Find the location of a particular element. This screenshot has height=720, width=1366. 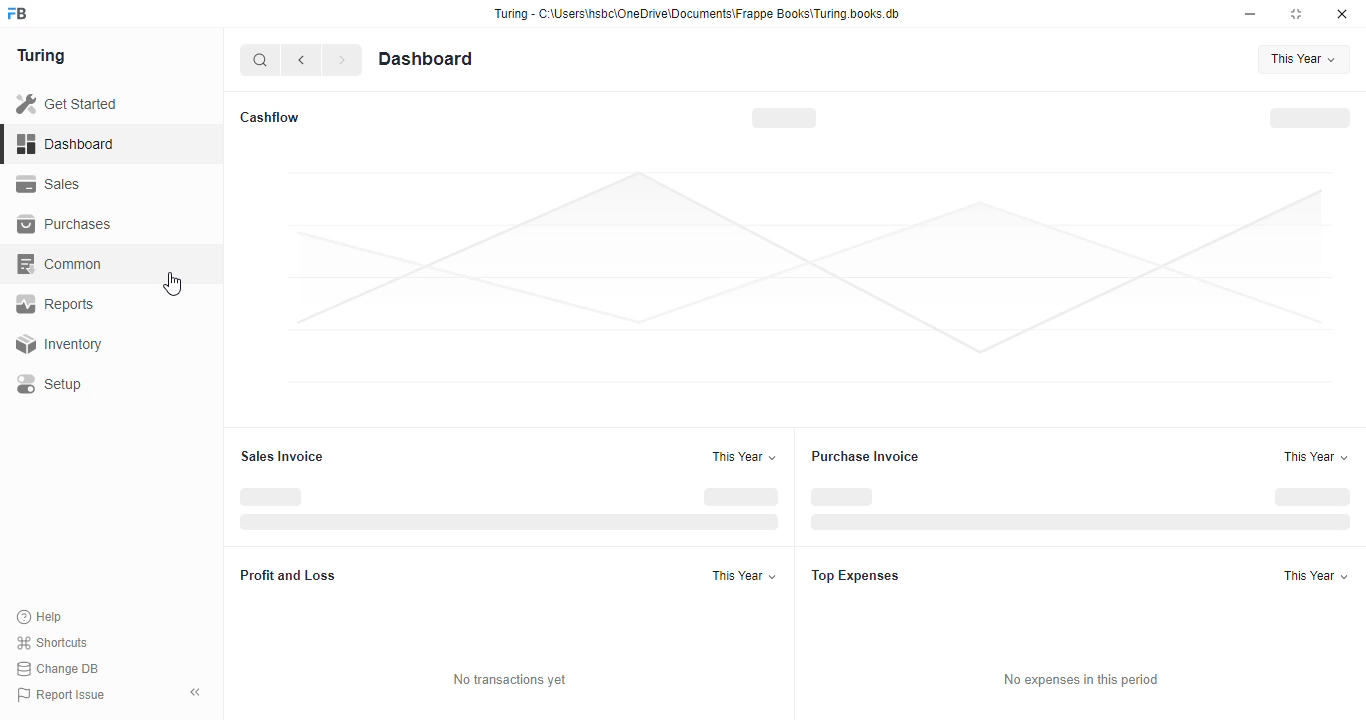

toggle maximize is located at coordinates (1296, 14).